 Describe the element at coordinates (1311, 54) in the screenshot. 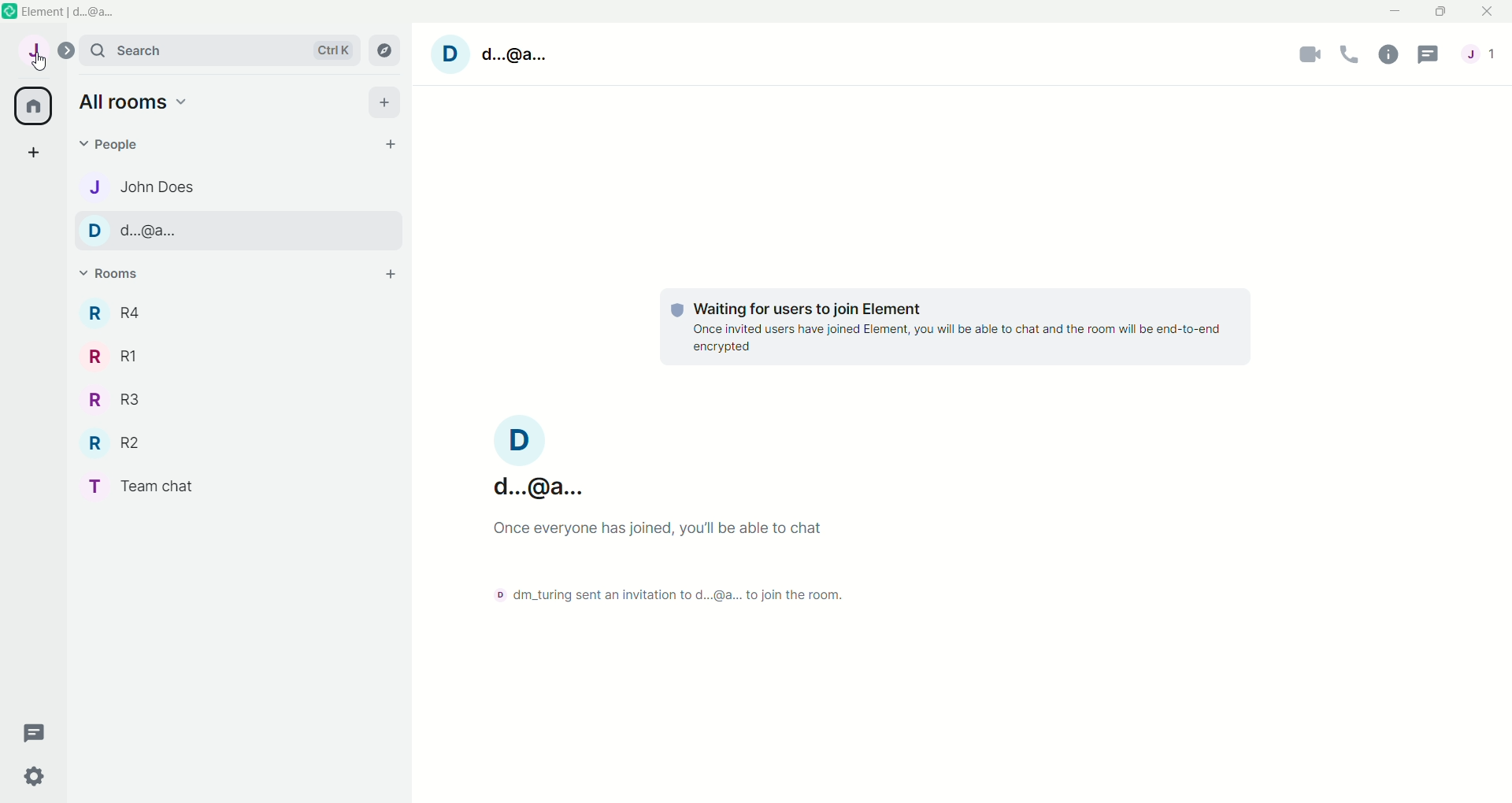

I see `Video call` at that location.